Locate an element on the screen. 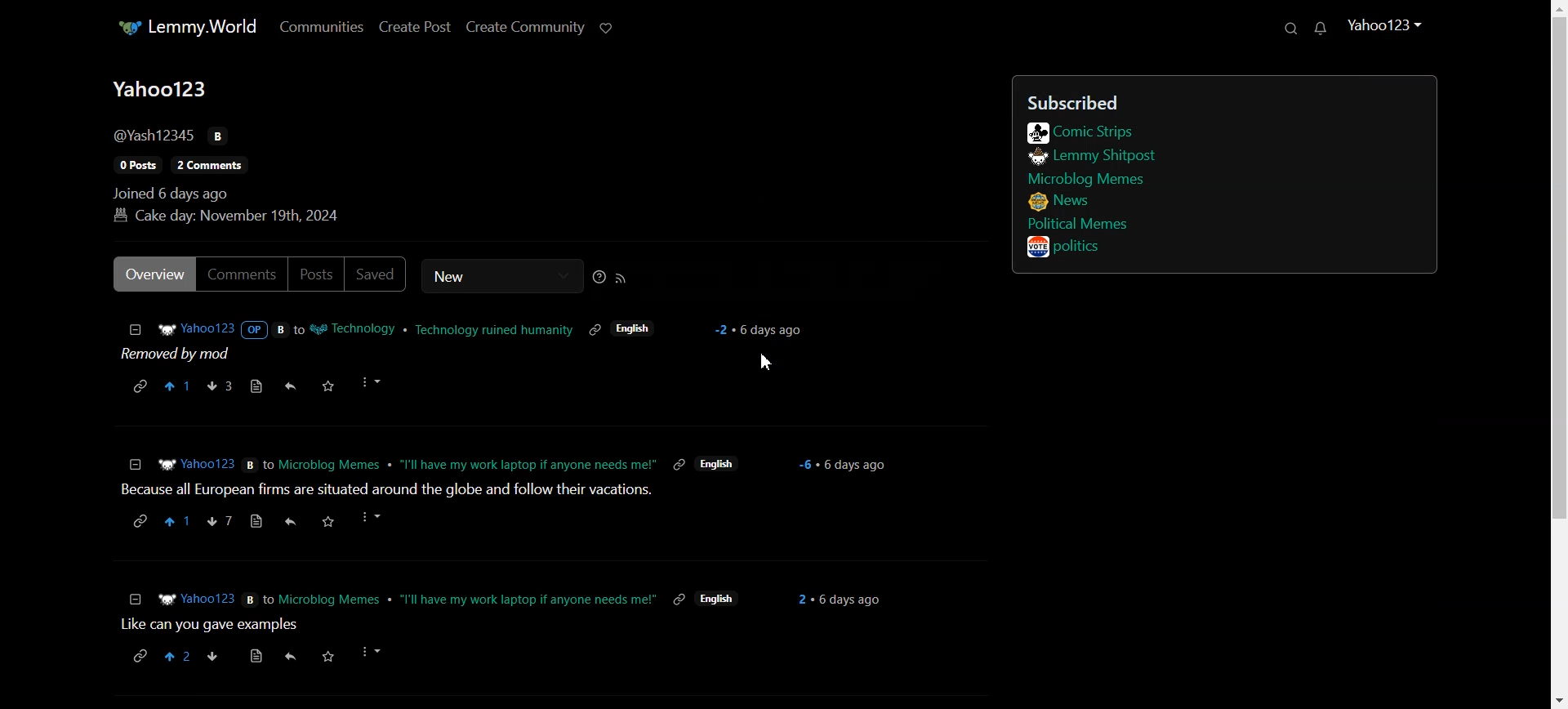 The width and height of the screenshot is (1568, 709). downvote is located at coordinates (223, 522).